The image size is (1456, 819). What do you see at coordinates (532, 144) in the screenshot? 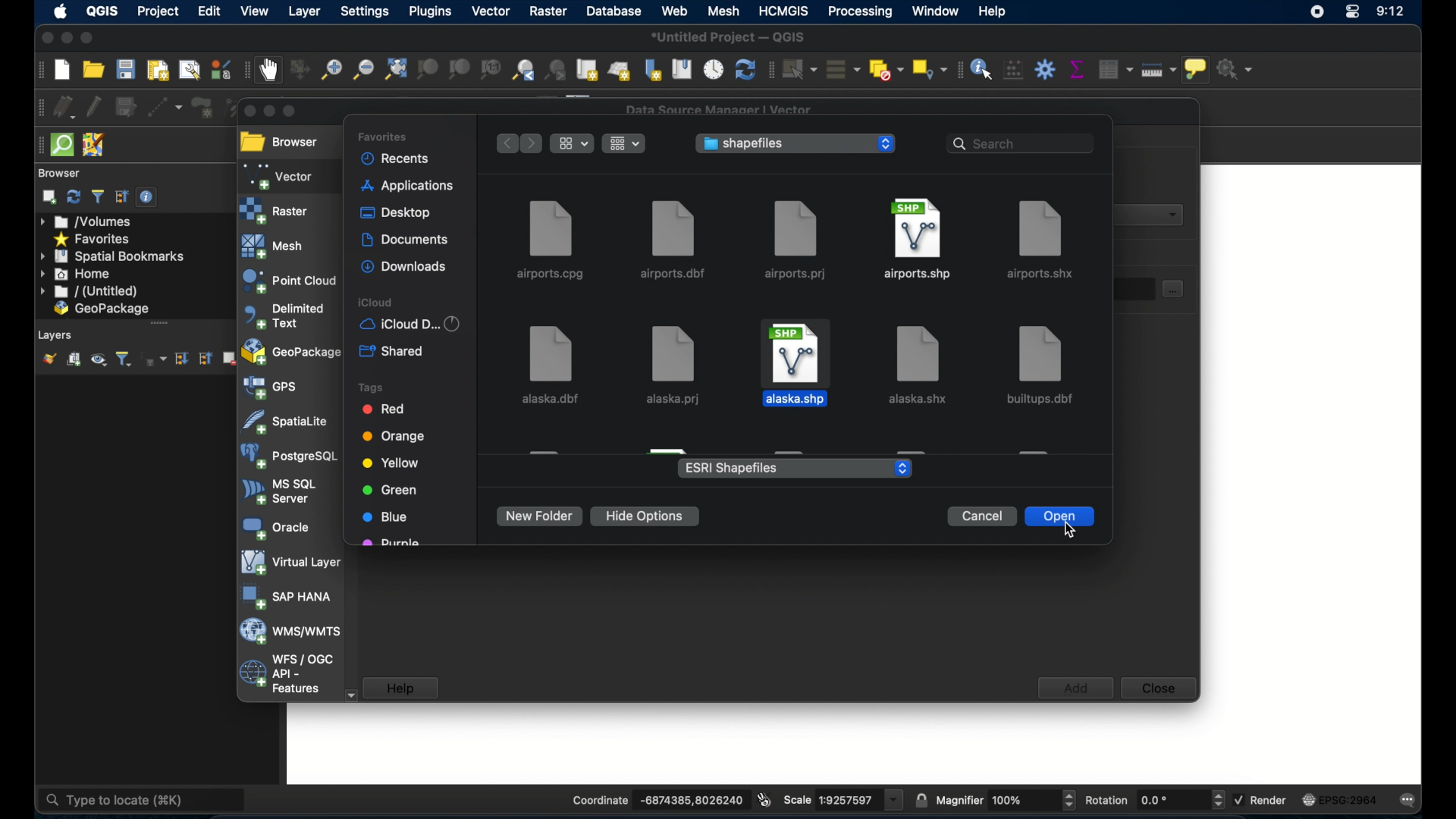
I see `forward` at bounding box center [532, 144].